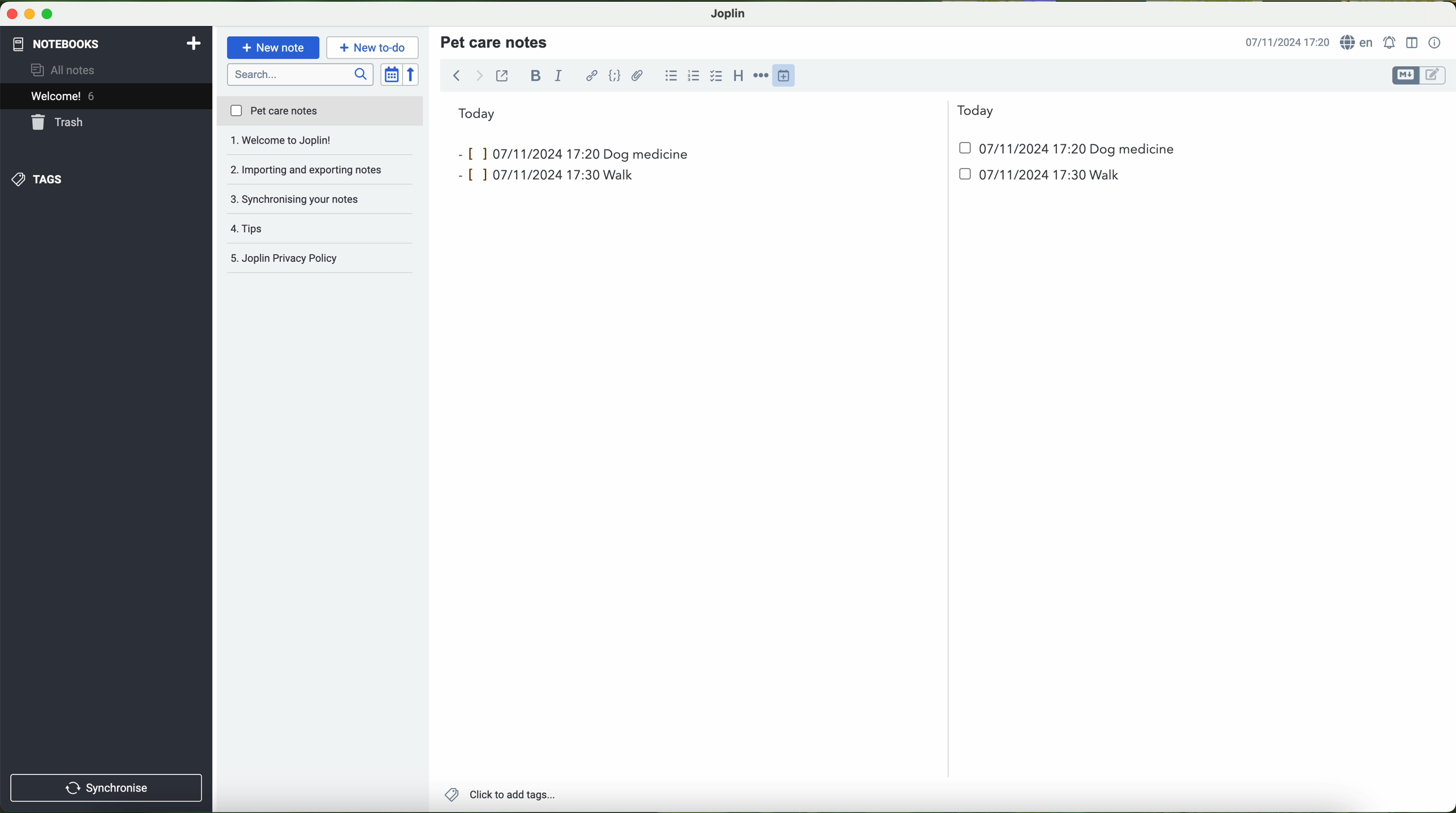 Image resolution: width=1456 pixels, height=813 pixels. I want to click on reverse sort order, so click(414, 75).